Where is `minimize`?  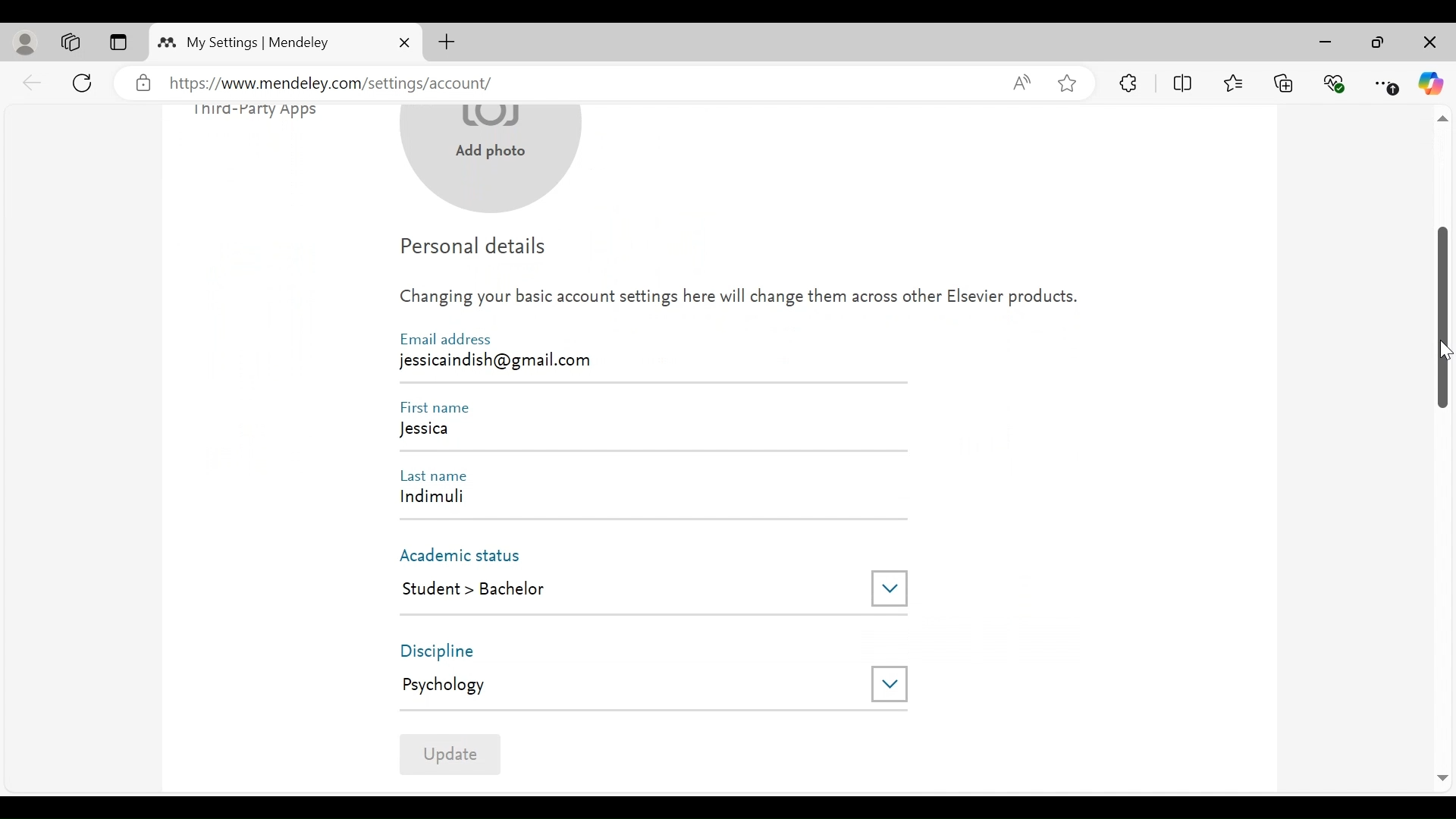 minimize is located at coordinates (1329, 42).